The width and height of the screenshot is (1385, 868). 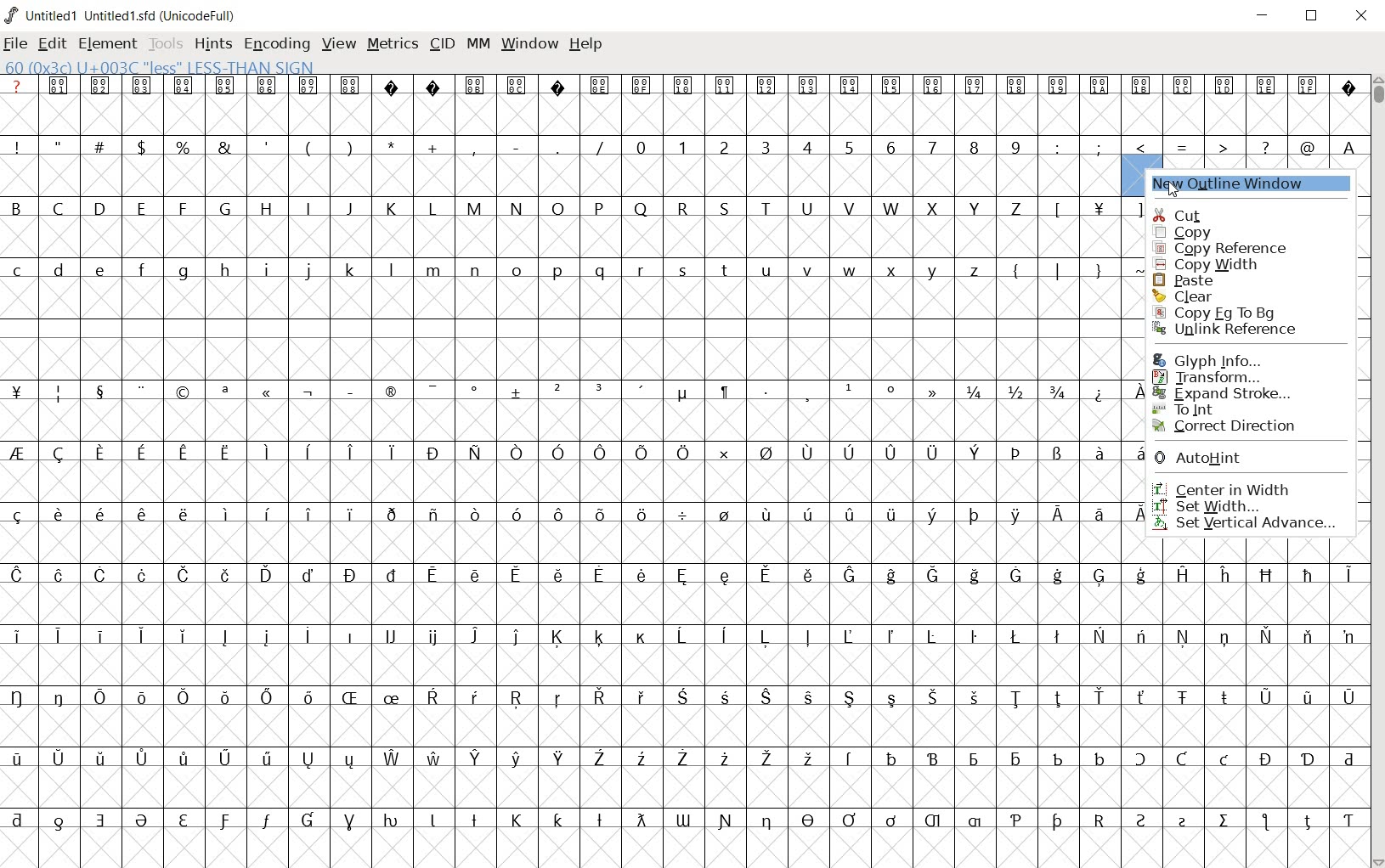 What do you see at coordinates (1084, 208) in the screenshot?
I see `symbols` at bounding box center [1084, 208].